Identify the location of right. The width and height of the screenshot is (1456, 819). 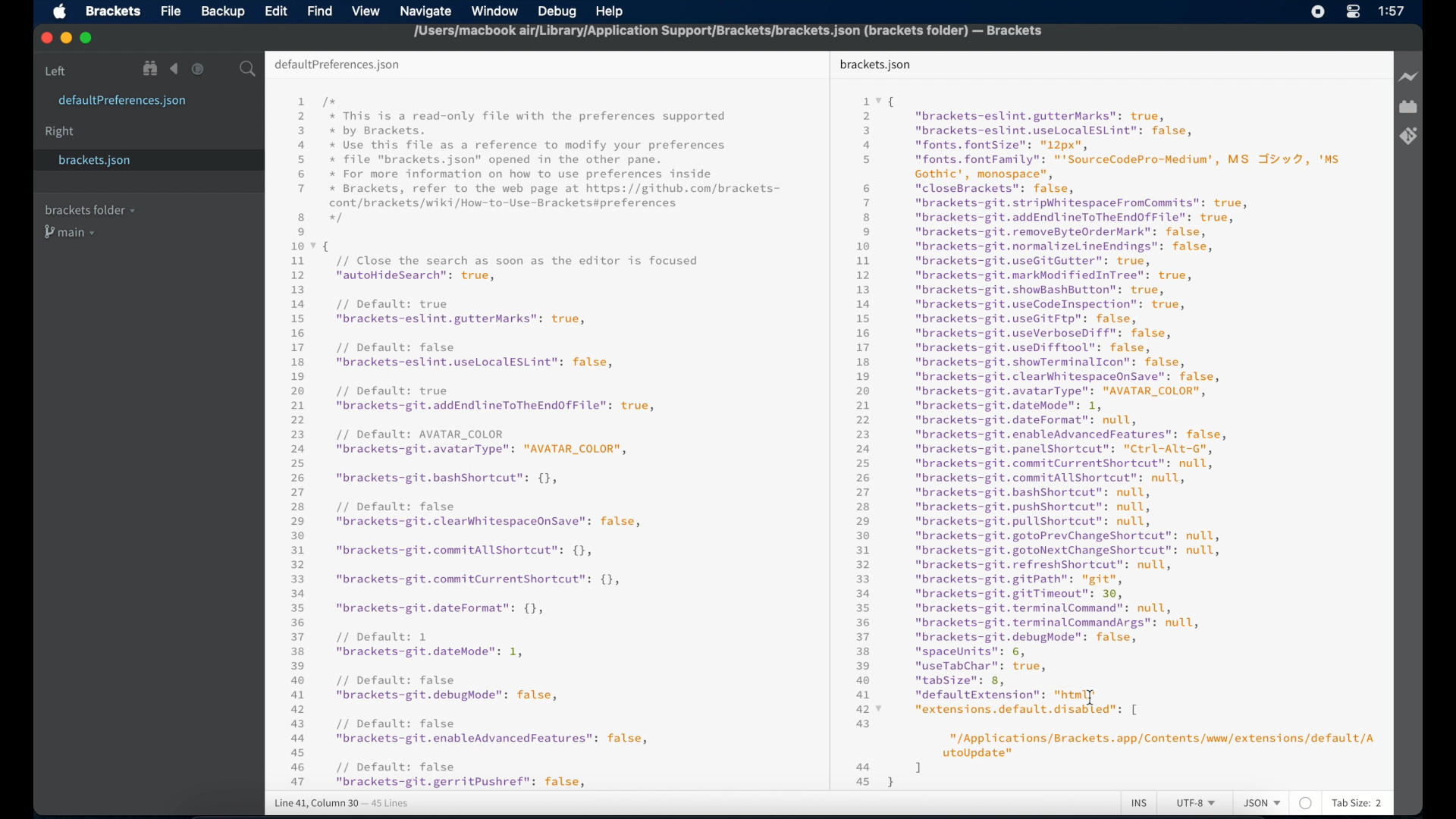
(61, 132).